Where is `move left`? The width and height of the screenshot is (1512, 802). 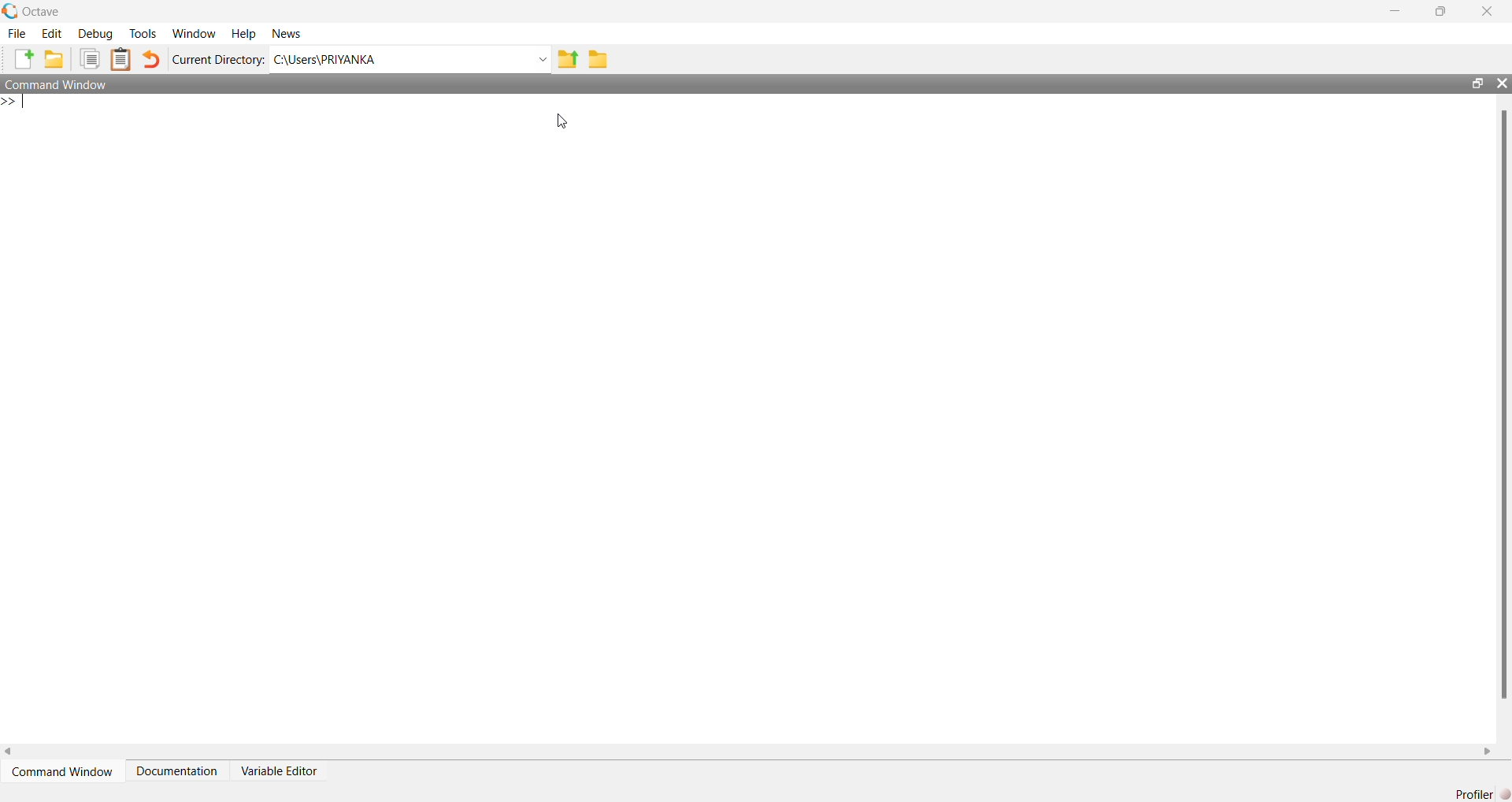 move left is located at coordinates (9, 748).